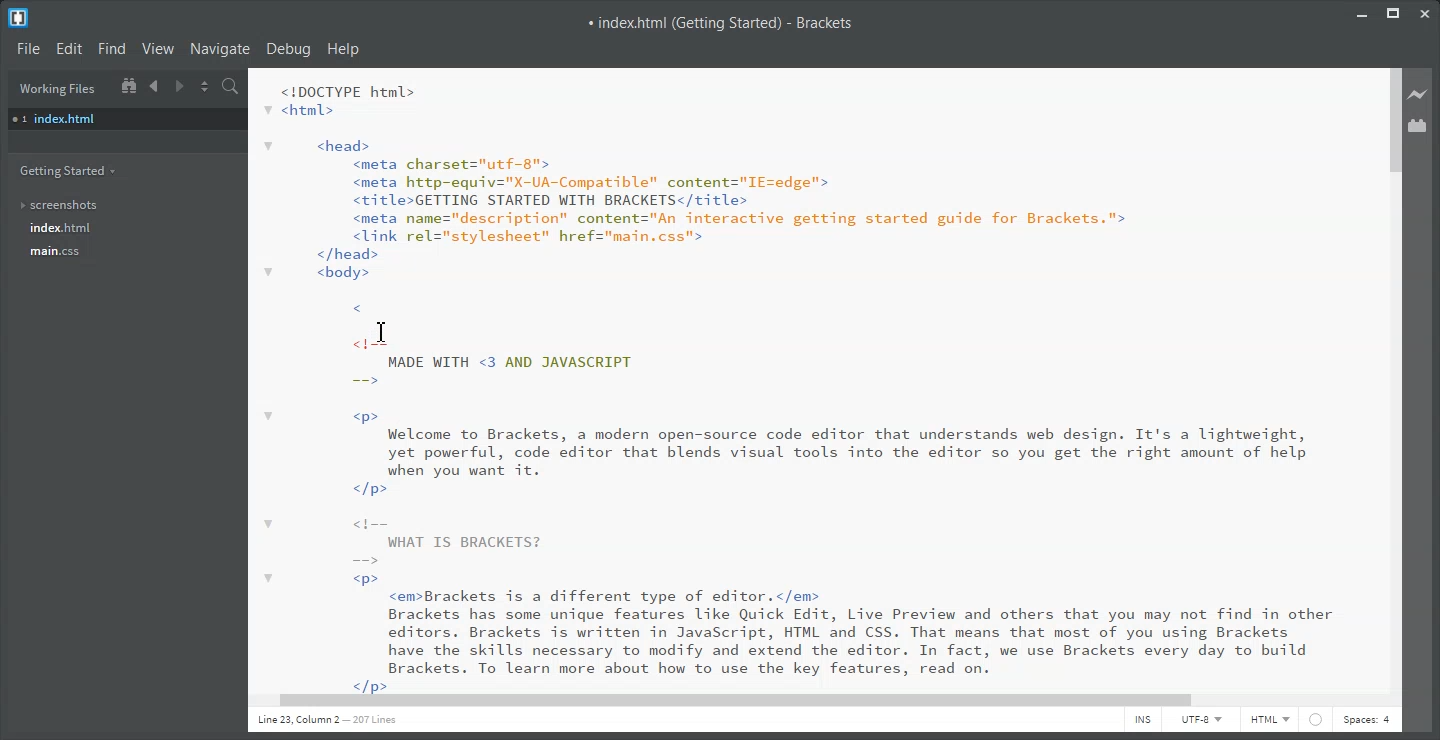 The width and height of the screenshot is (1440, 740). I want to click on Navigate, so click(220, 49).